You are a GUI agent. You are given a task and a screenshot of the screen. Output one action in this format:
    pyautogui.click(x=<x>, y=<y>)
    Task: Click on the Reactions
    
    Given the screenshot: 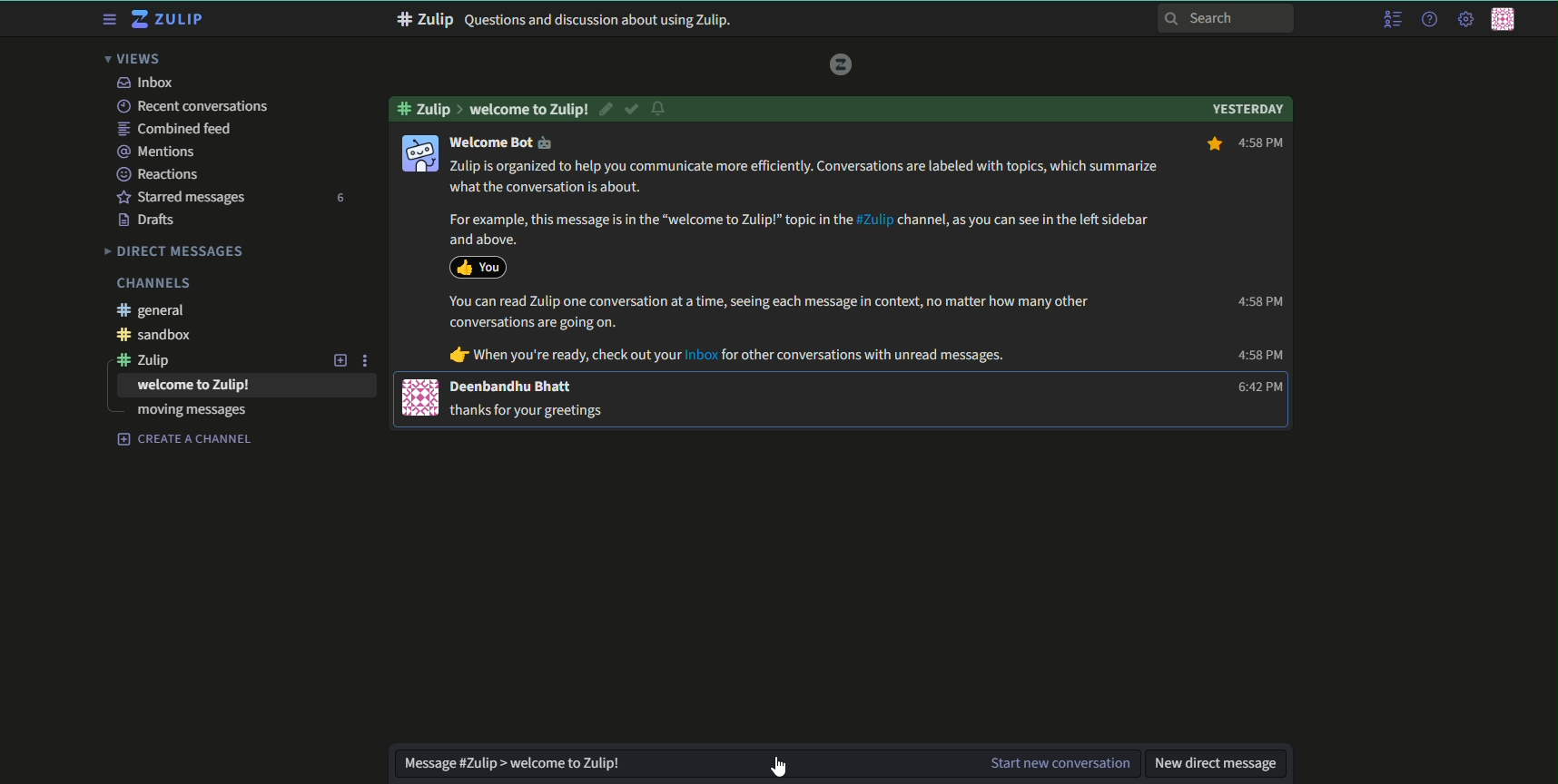 What is the action you would take?
    pyautogui.click(x=163, y=173)
    